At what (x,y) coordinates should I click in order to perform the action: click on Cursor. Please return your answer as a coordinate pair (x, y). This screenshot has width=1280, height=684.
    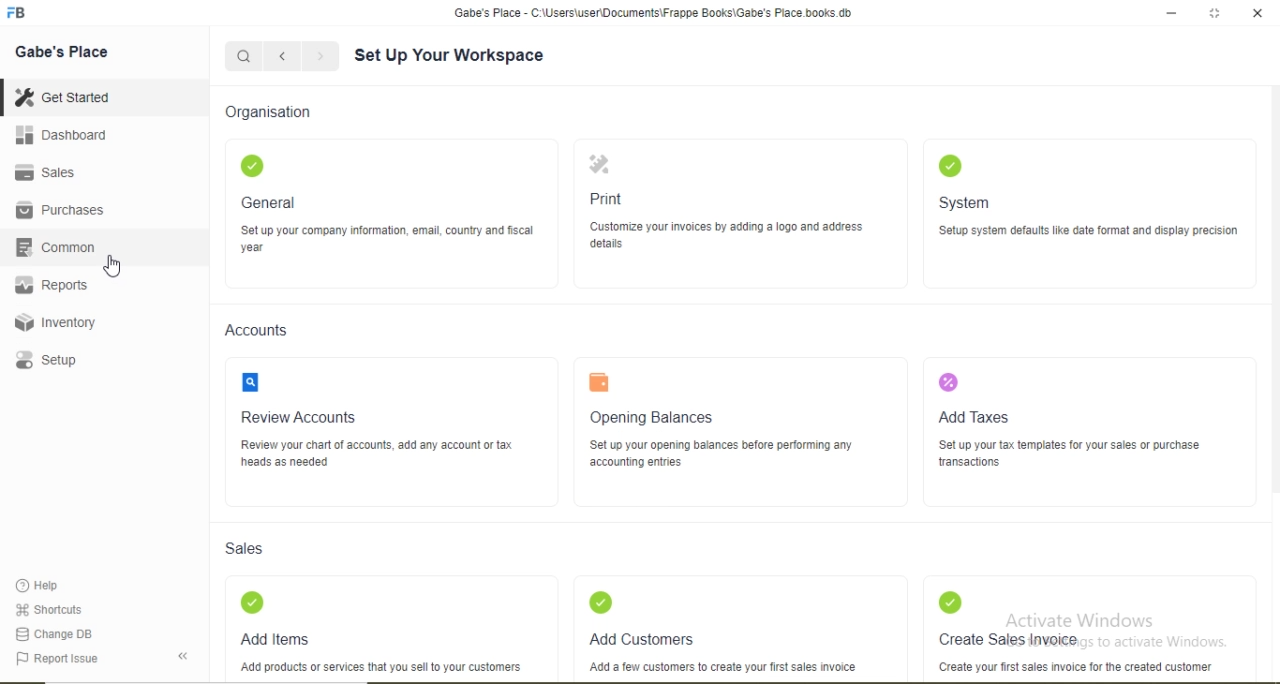
    Looking at the image, I should click on (115, 267).